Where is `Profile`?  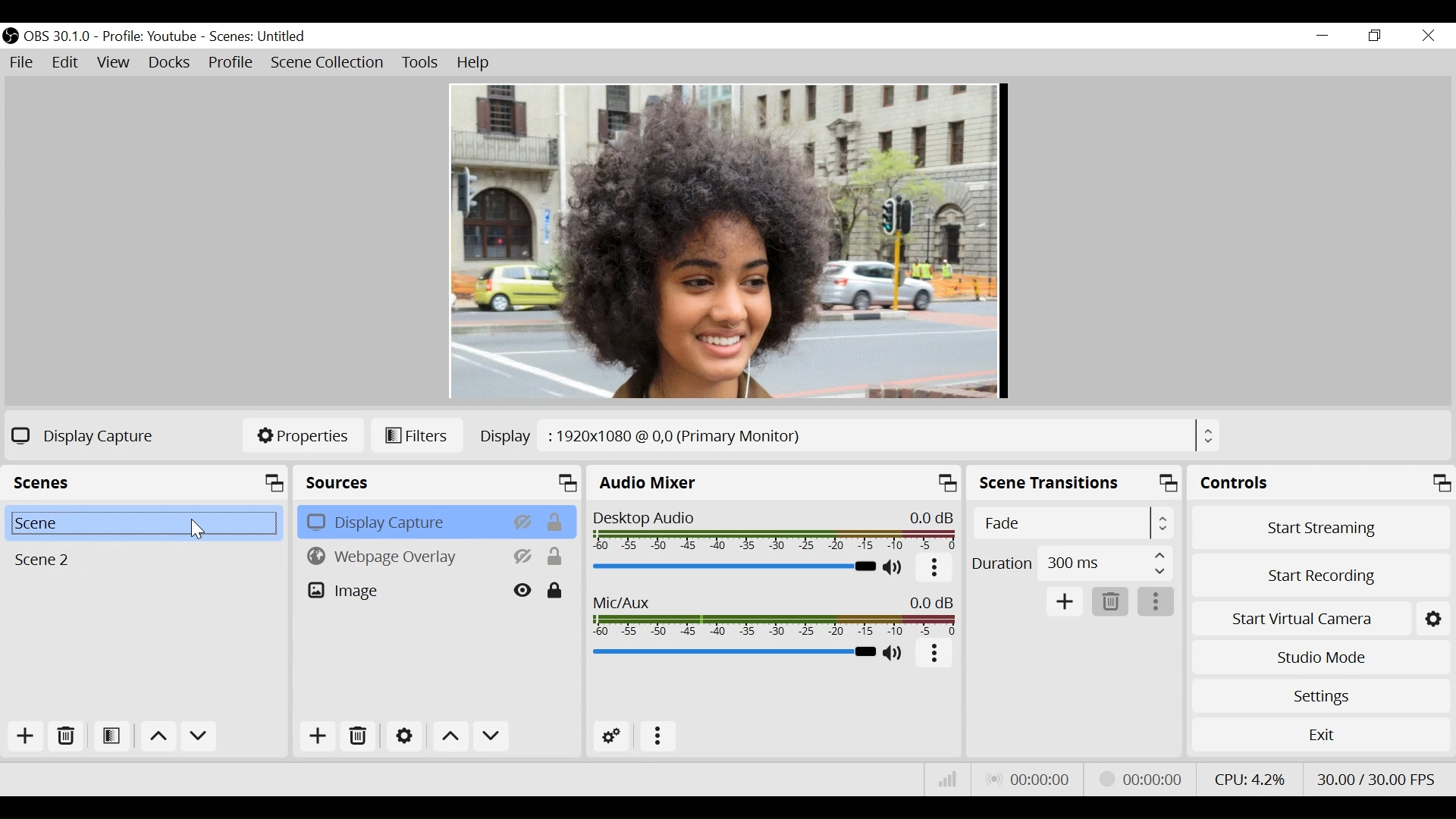 Profile is located at coordinates (152, 37).